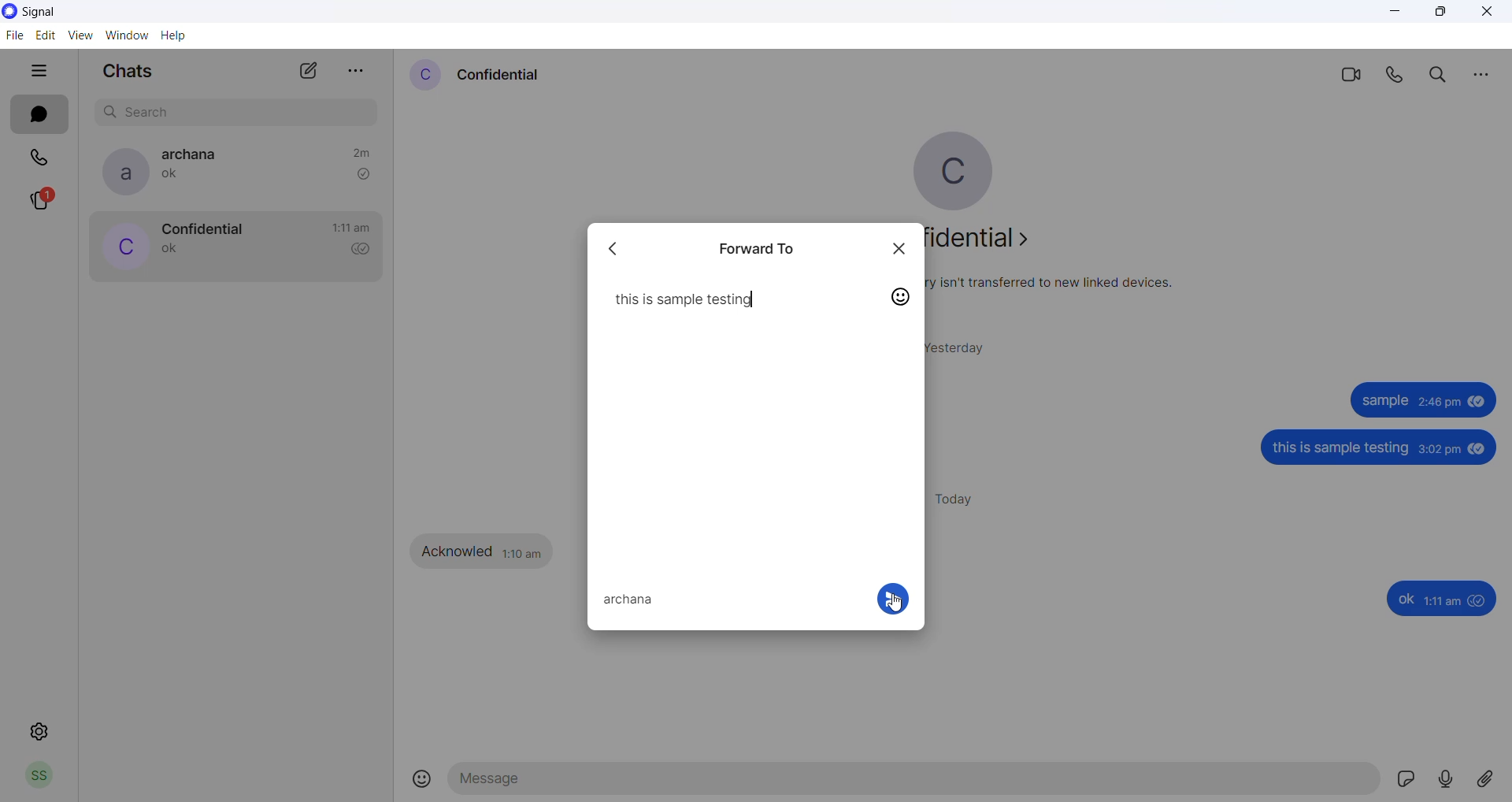 Image resolution: width=1512 pixels, height=802 pixels. Describe the element at coordinates (1444, 601) in the screenshot. I see `1:11am` at that location.